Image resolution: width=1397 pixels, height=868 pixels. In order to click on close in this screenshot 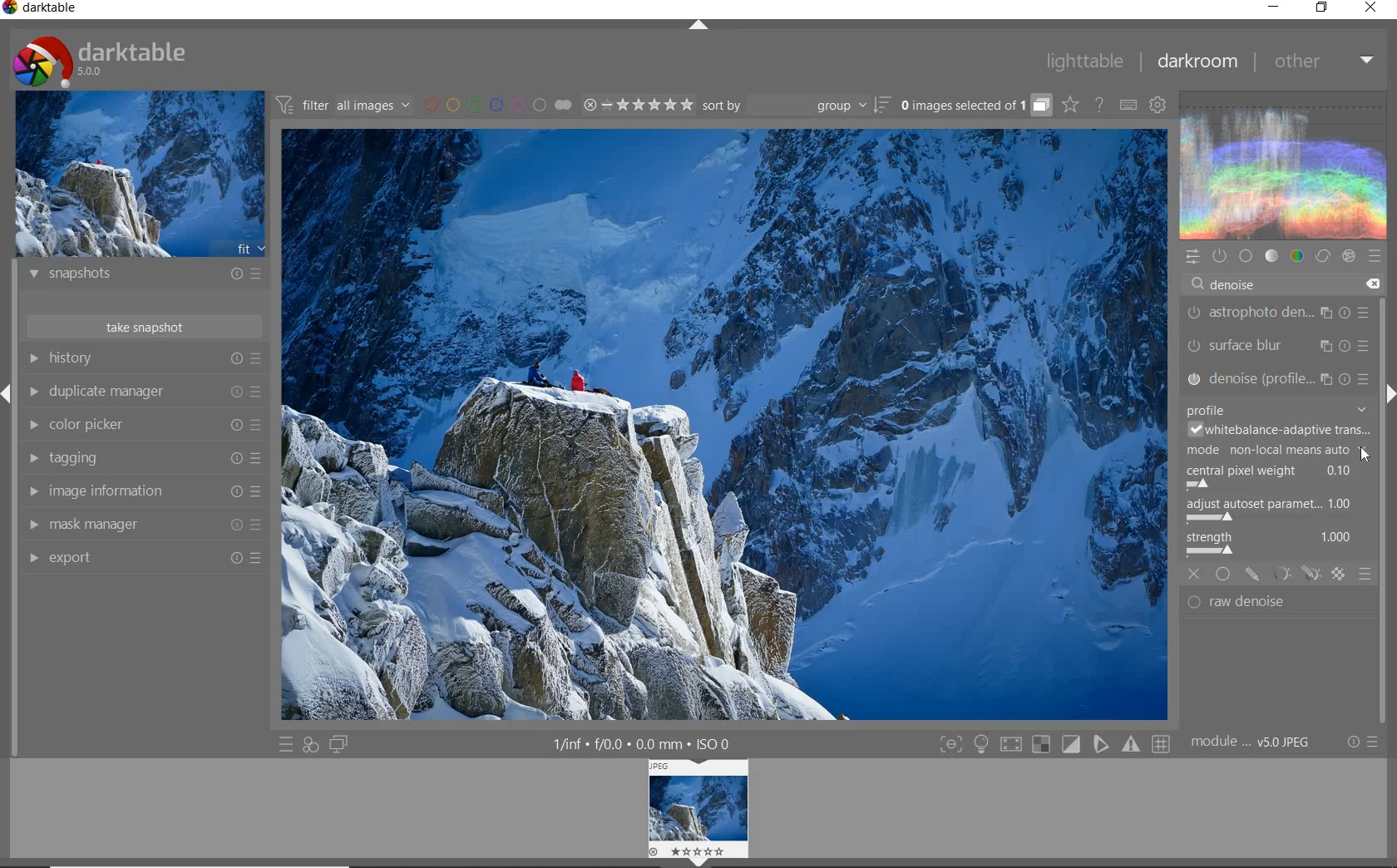, I will do `click(1371, 8)`.